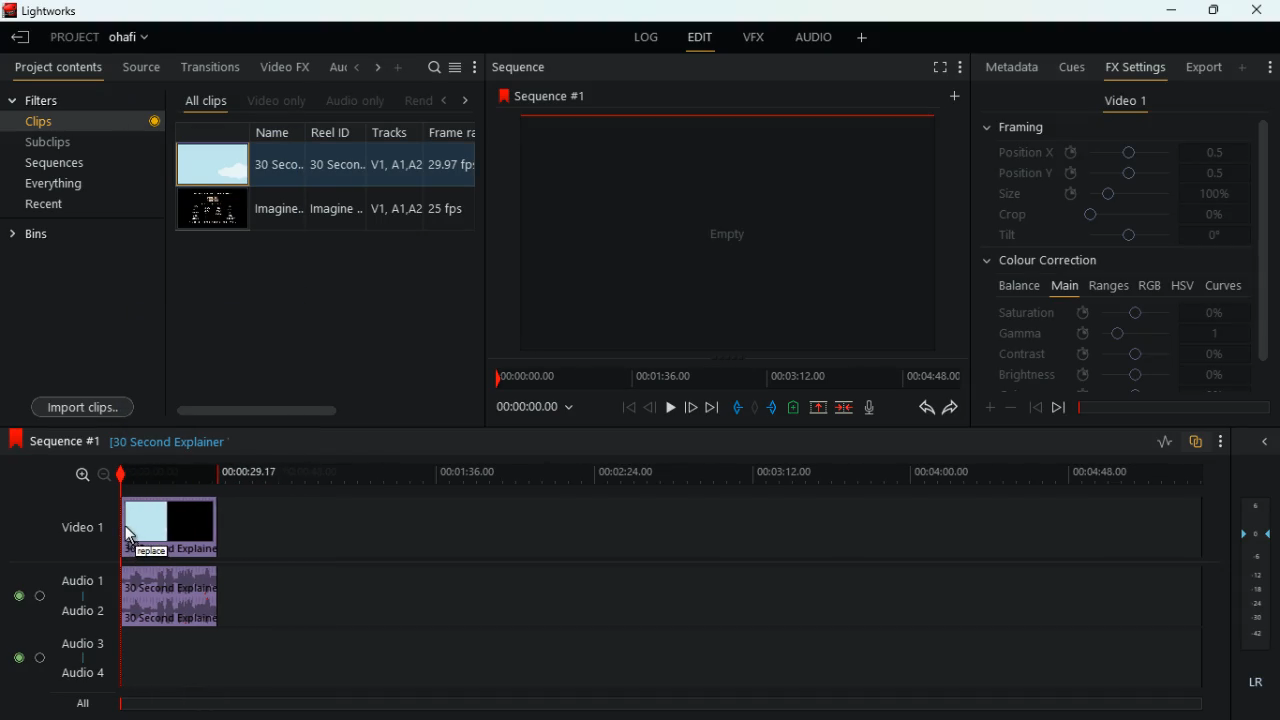  I want to click on au, so click(337, 68).